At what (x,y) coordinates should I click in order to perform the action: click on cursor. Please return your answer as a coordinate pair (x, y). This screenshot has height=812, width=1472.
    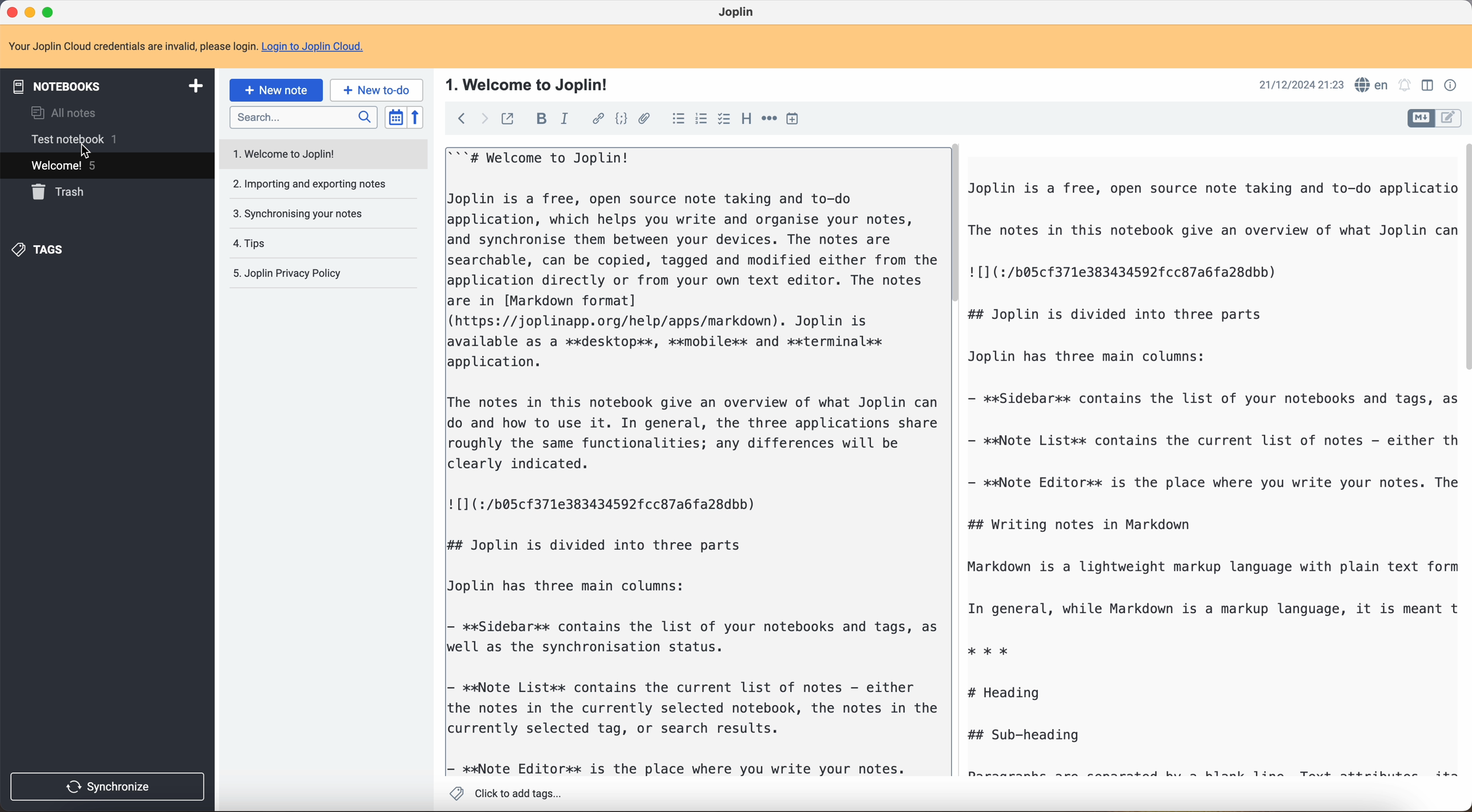
    Looking at the image, I should click on (86, 152).